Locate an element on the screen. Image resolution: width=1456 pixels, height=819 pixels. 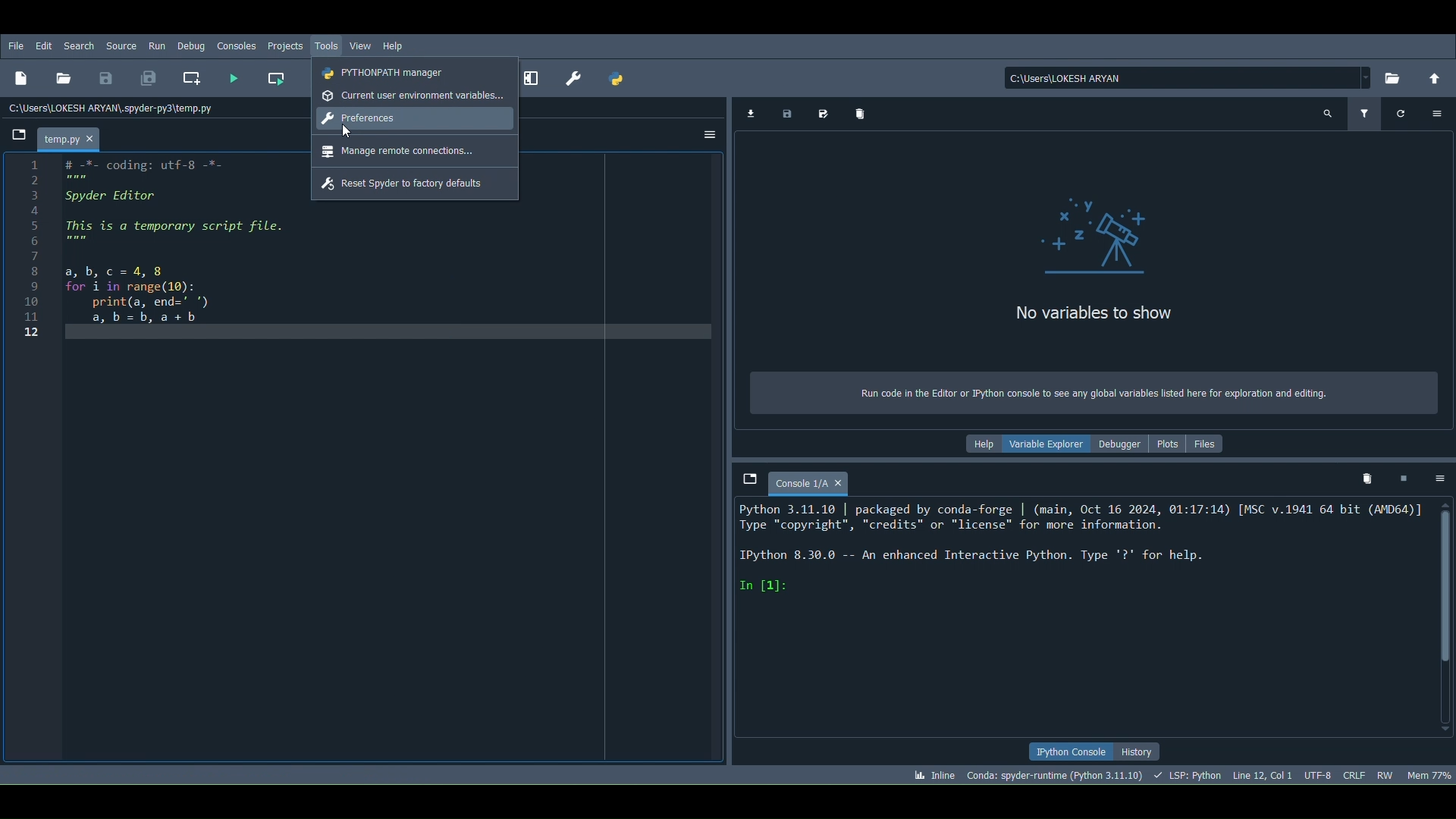
Browse tabs is located at coordinates (750, 479).